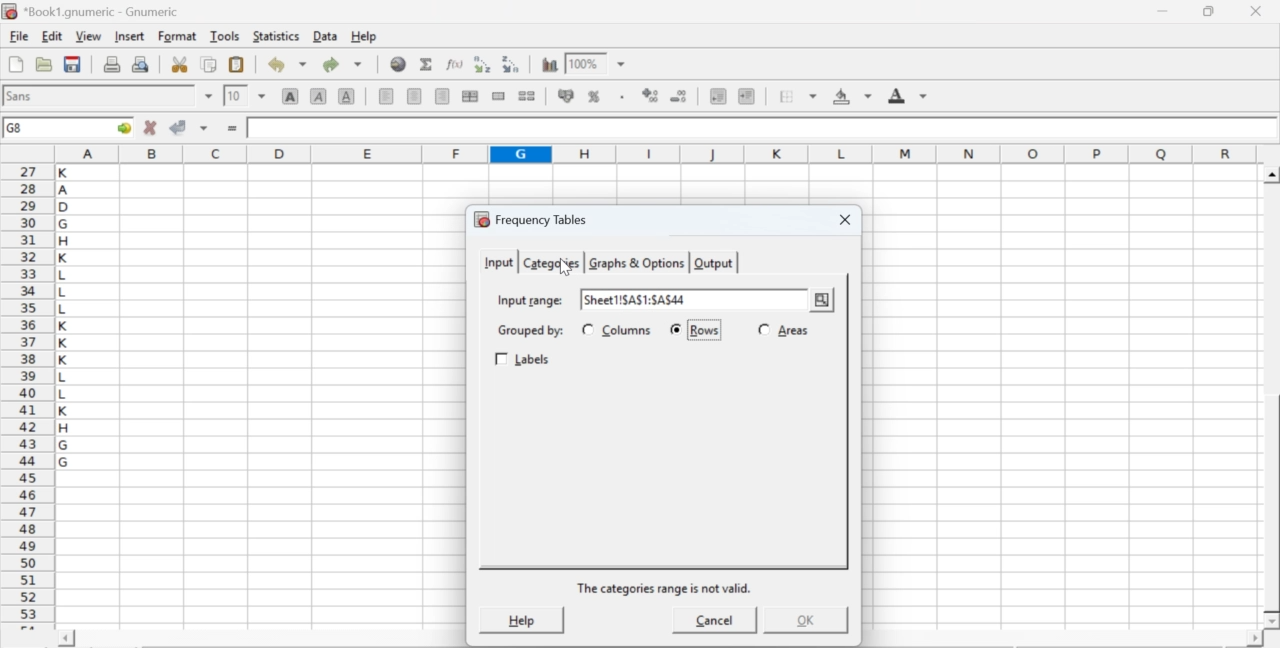  What do you see at coordinates (499, 96) in the screenshot?
I see `merge a range of cells` at bounding box center [499, 96].